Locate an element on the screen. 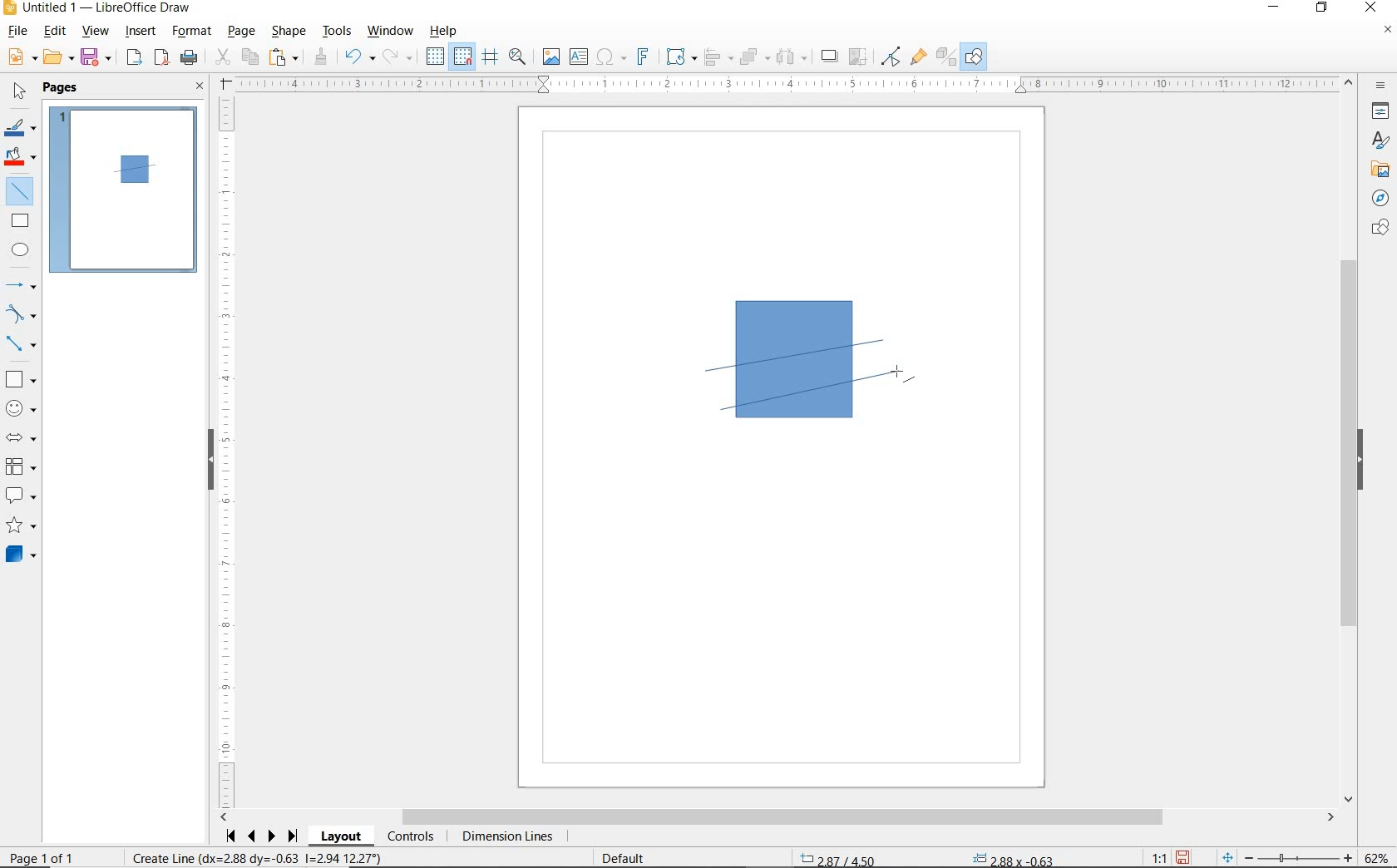 The width and height of the screenshot is (1397, 868). CLONE FORMATTING is located at coordinates (320, 57).